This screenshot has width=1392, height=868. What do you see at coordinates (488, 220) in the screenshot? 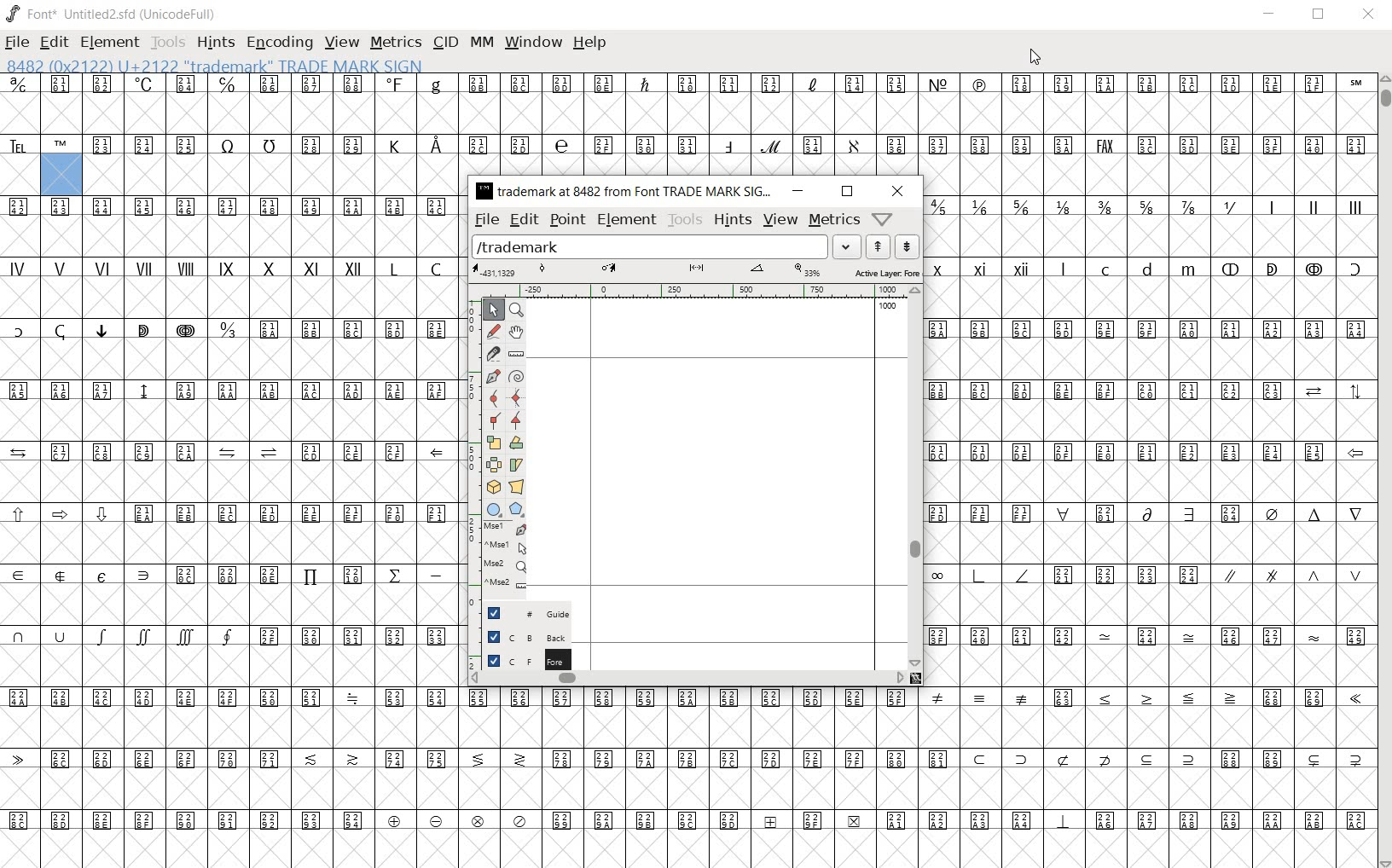
I see `file` at bounding box center [488, 220].